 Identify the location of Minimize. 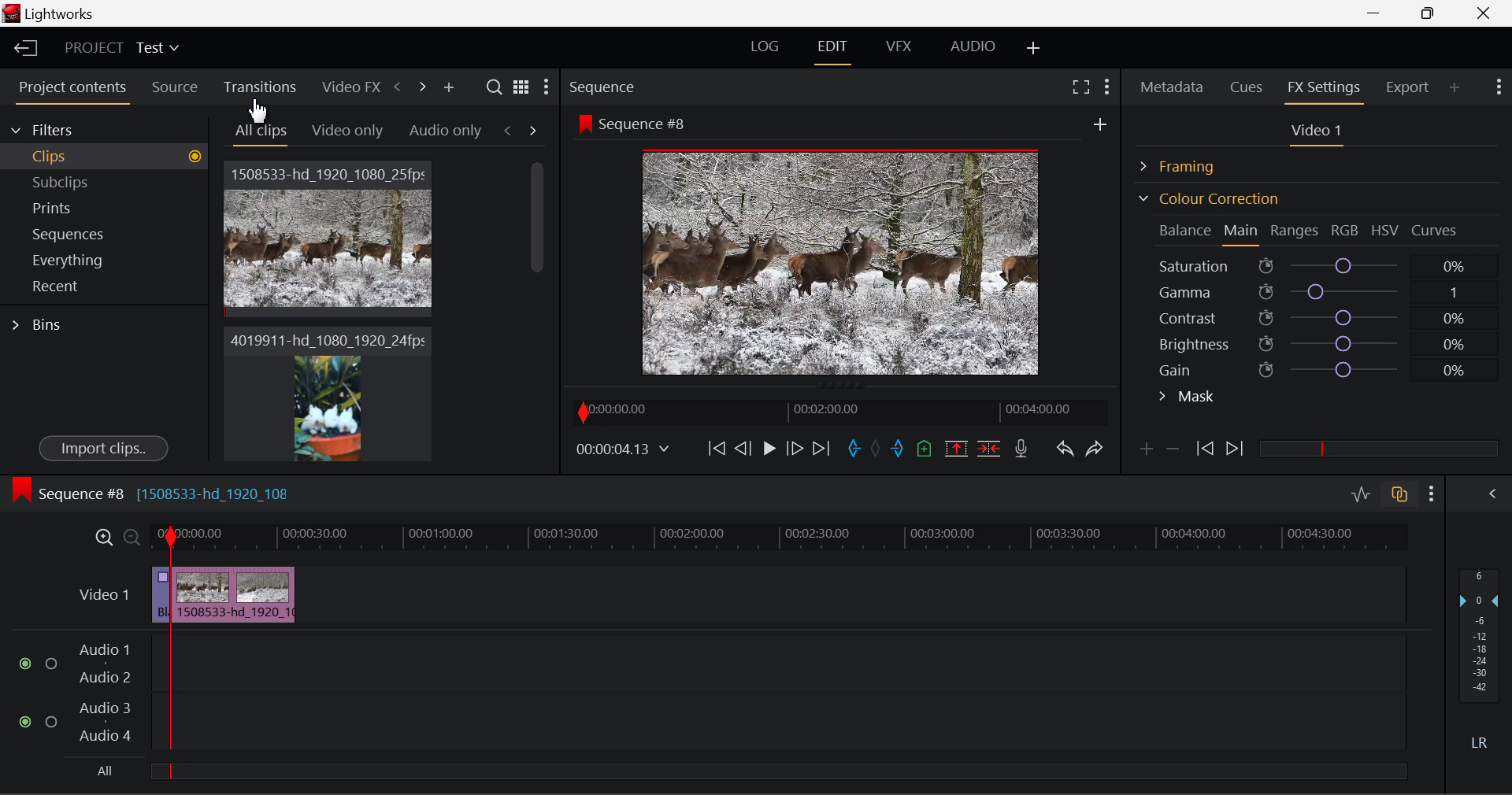
(1432, 13).